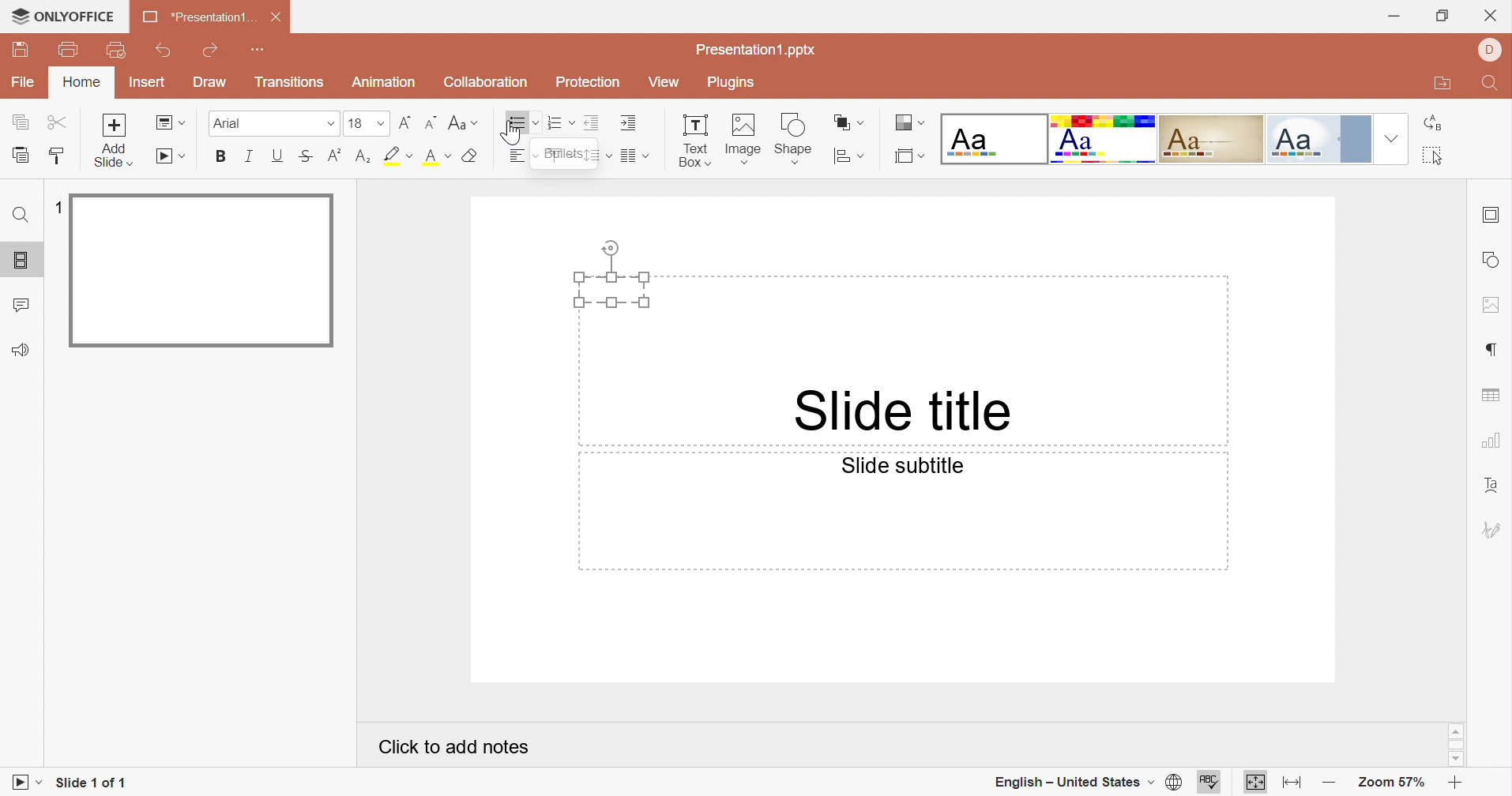 The width and height of the screenshot is (1512, 796). I want to click on print, so click(69, 51).